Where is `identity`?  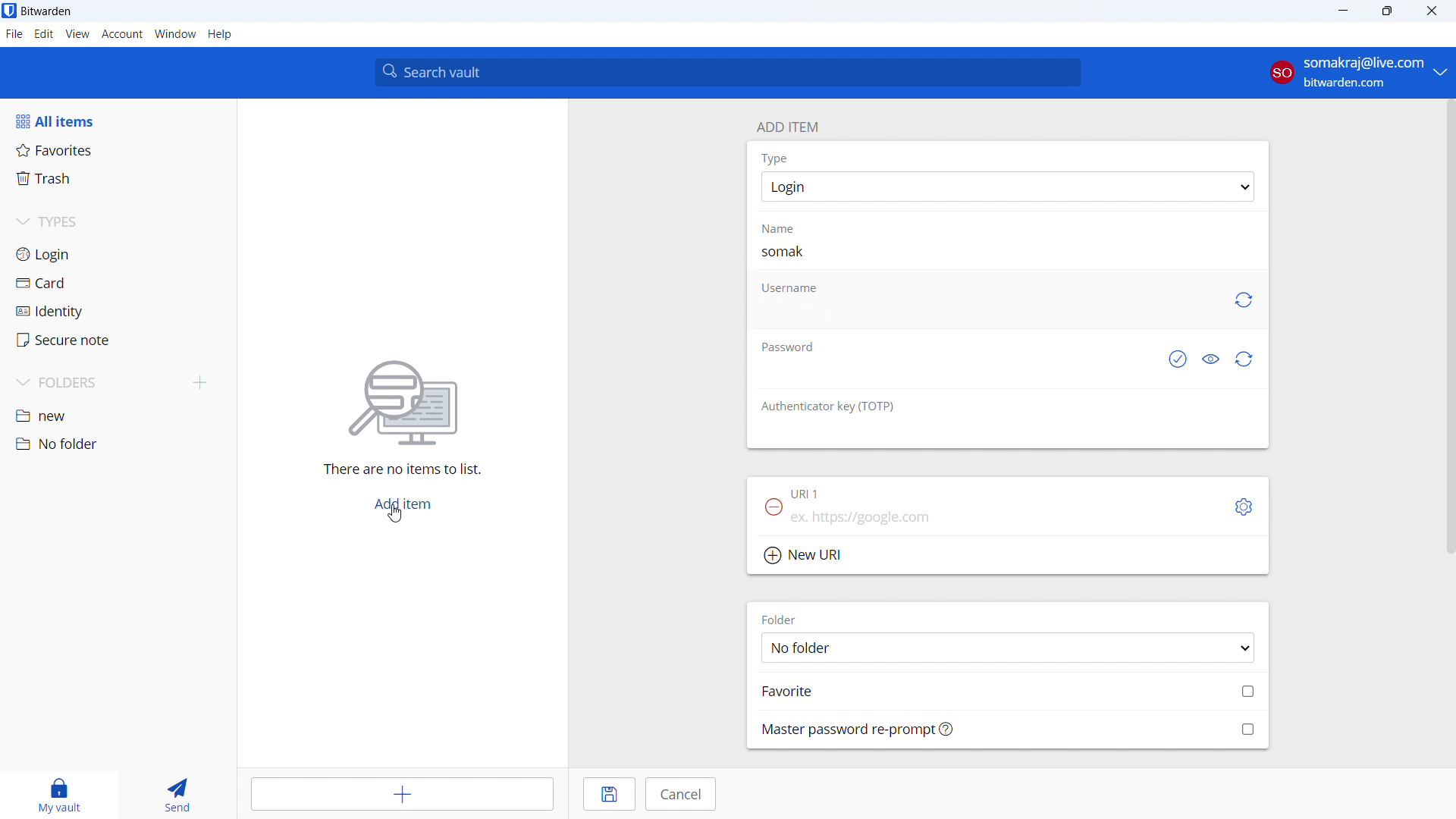 identity is located at coordinates (118, 312).